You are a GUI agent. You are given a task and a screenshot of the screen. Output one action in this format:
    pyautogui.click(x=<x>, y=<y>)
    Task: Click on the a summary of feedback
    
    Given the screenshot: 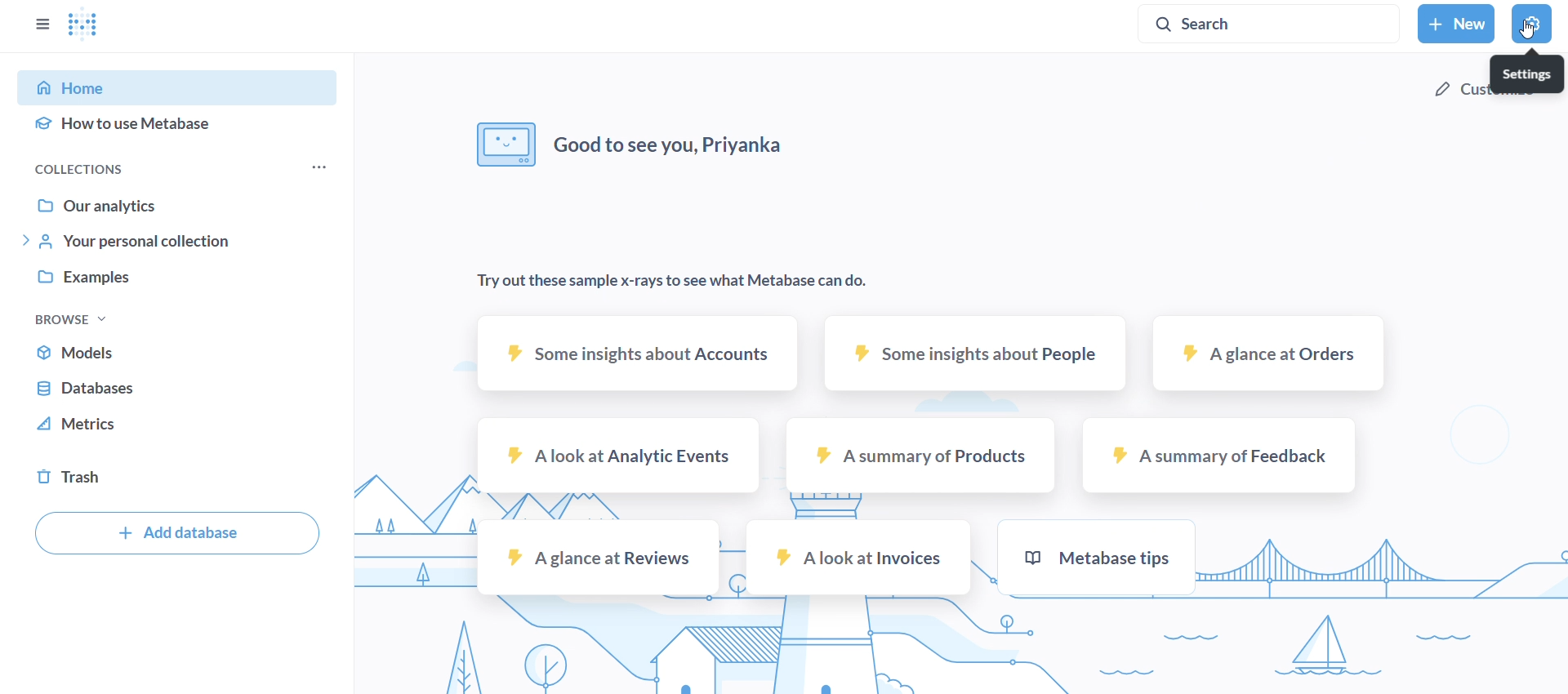 What is the action you would take?
    pyautogui.click(x=1220, y=456)
    